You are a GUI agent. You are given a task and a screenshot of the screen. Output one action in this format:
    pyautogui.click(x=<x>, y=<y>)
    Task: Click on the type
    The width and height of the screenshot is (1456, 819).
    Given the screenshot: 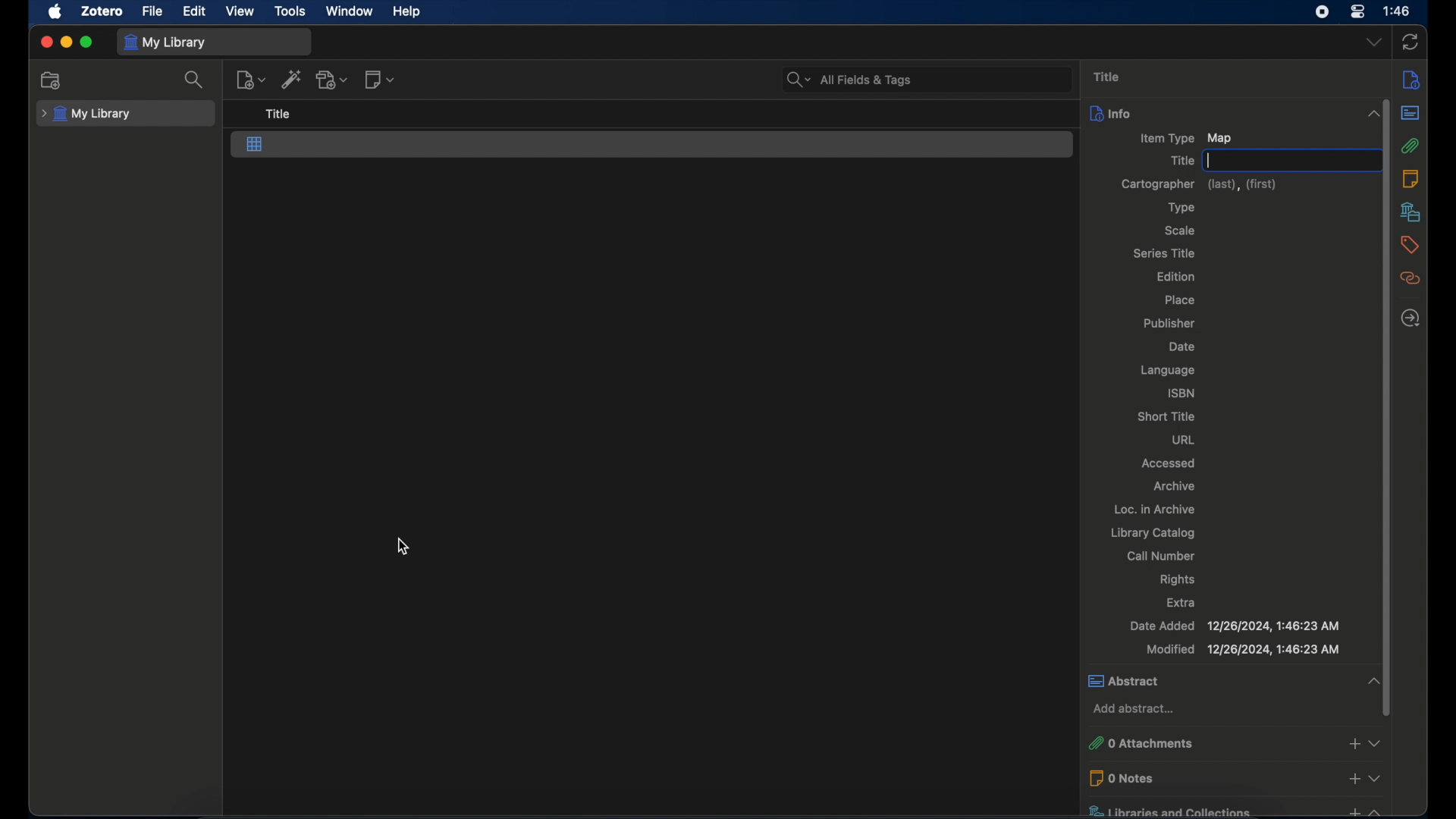 What is the action you would take?
    pyautogui.click(x=1183, y=208)
    